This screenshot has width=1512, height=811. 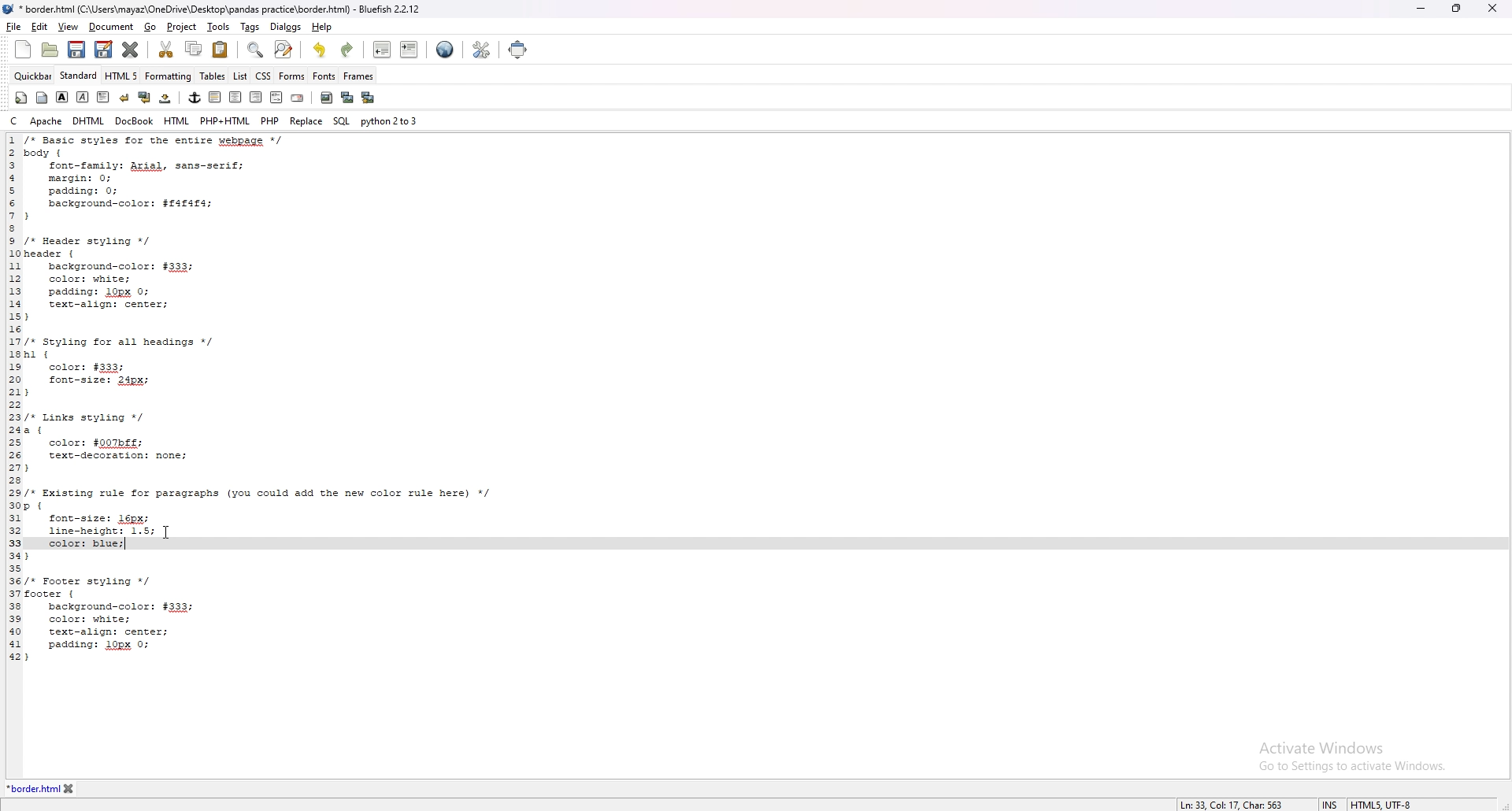 I want to click on file, so click(x=14, y=26).